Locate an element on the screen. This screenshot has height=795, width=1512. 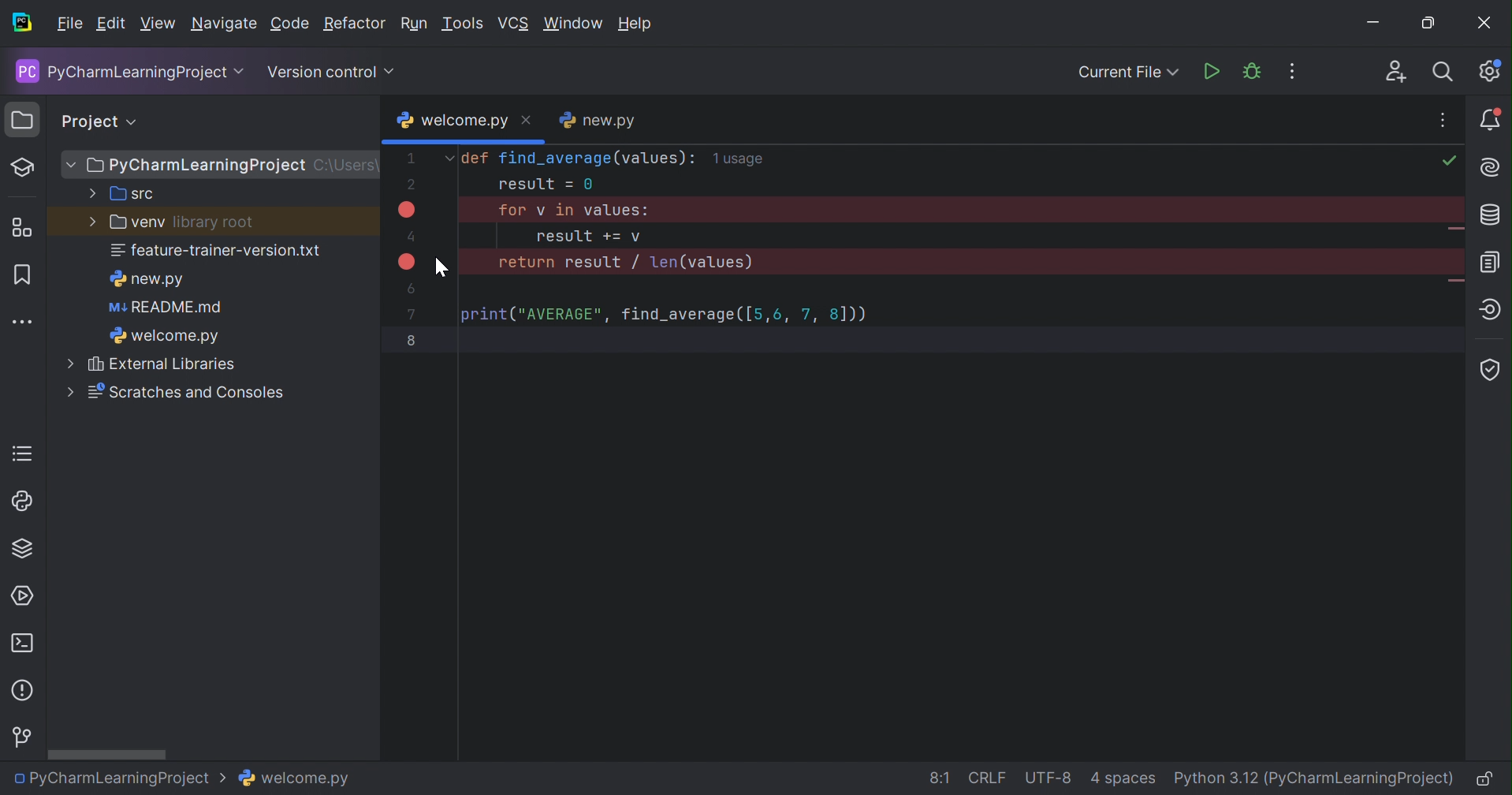
Code is located at coordinates (289, 25).